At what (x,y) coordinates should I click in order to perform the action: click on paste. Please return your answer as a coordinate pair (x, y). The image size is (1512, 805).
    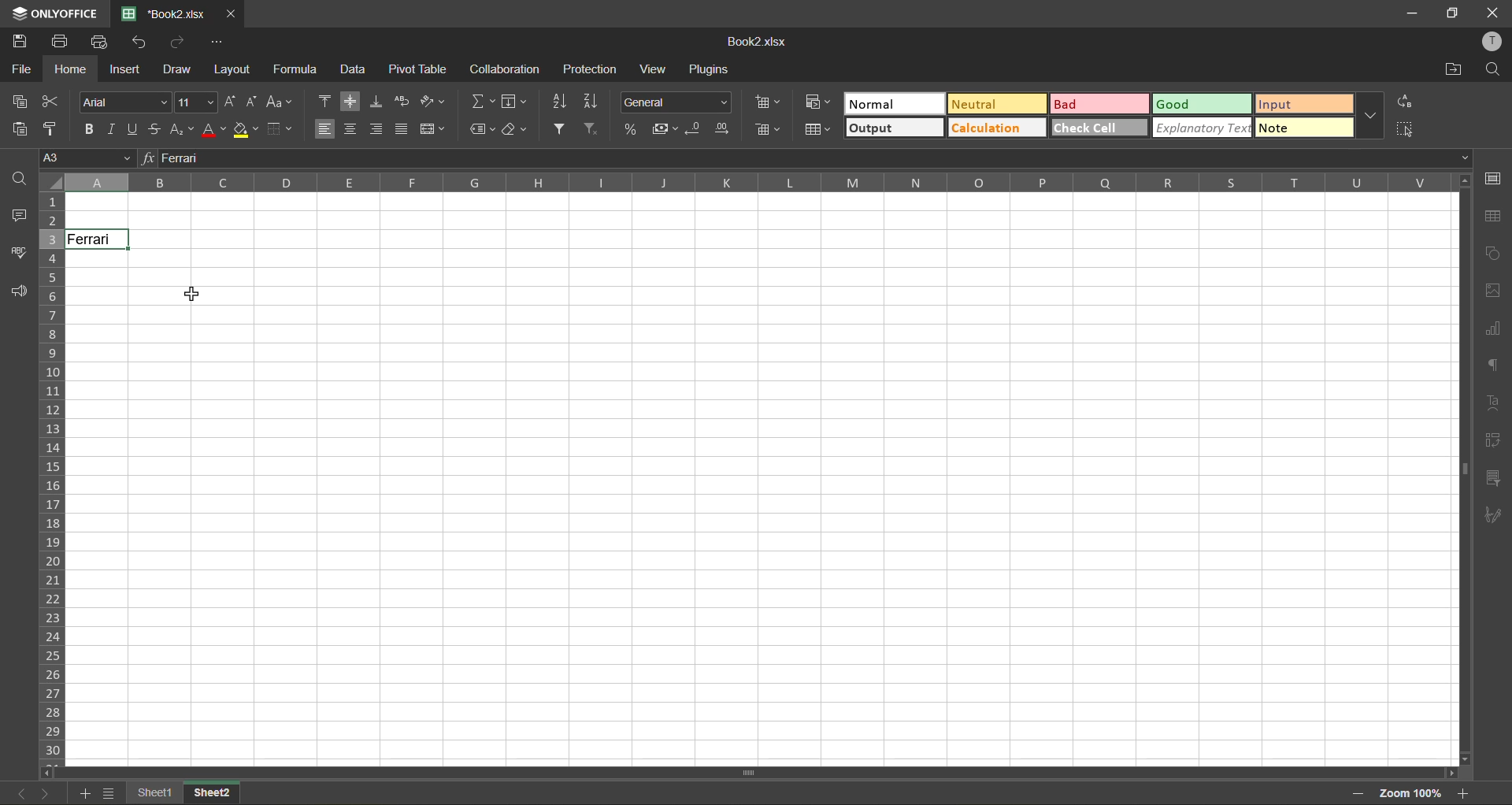
    Looking at the image, I should click on (18, 129).